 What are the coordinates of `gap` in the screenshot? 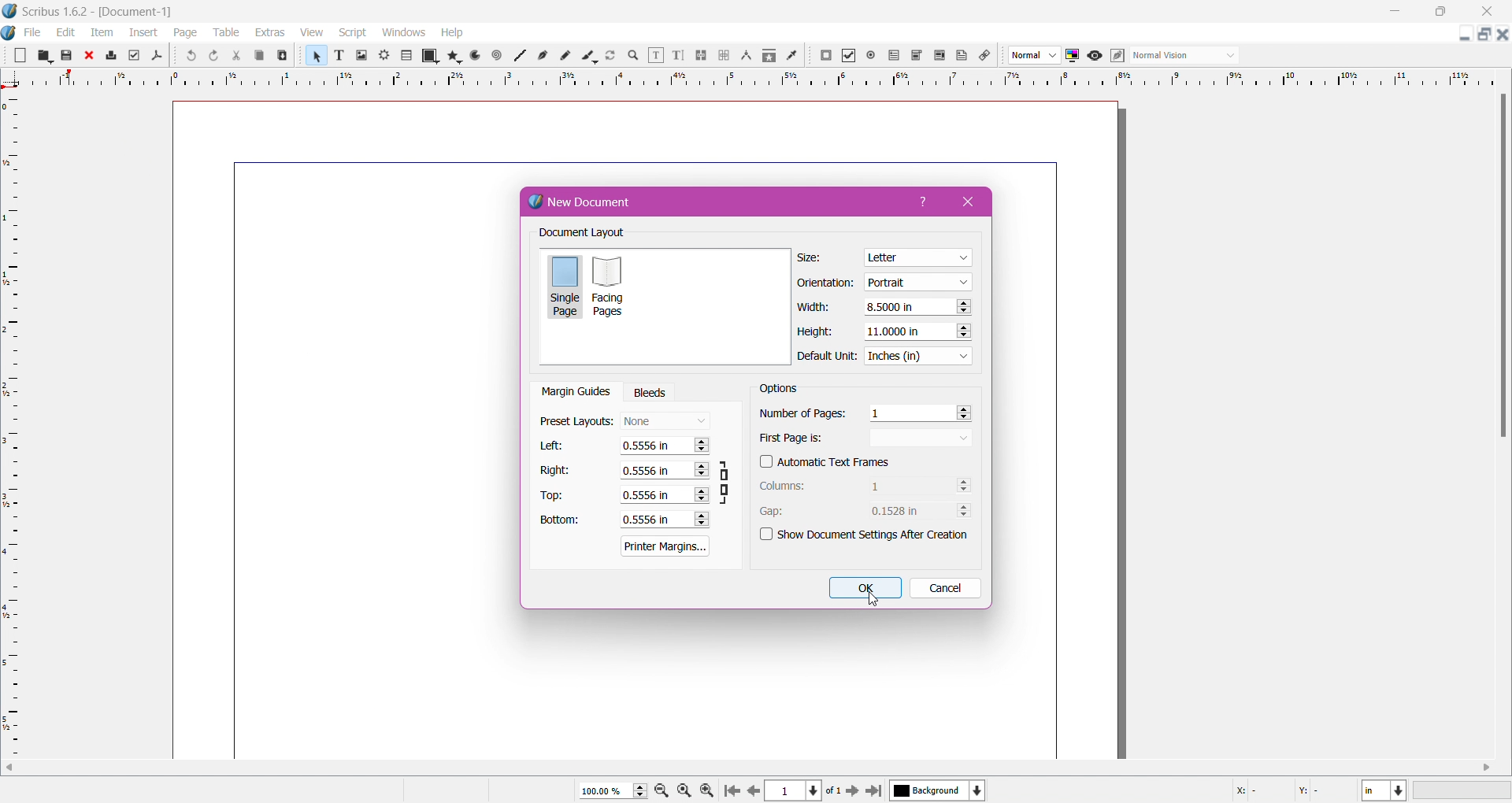 It's located at (802, 512).